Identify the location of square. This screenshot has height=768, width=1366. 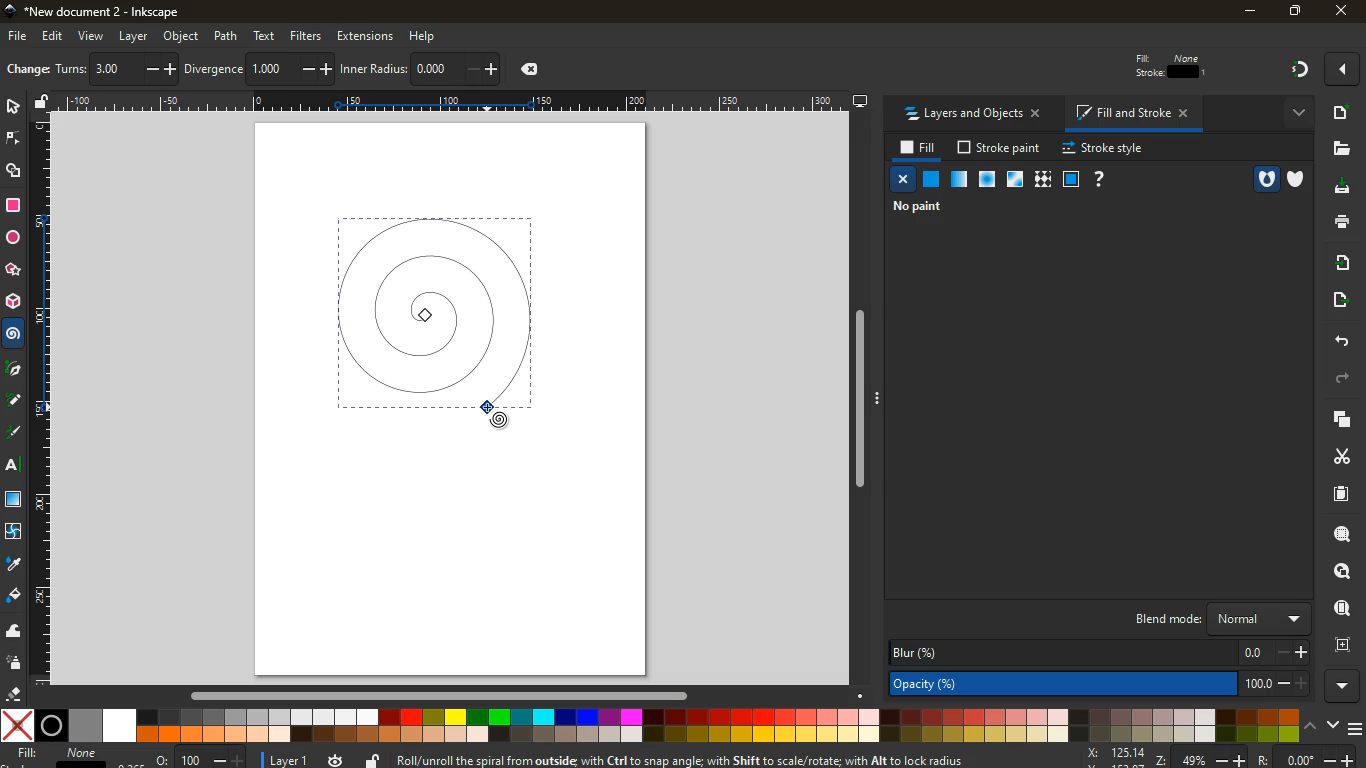
(15, 207).